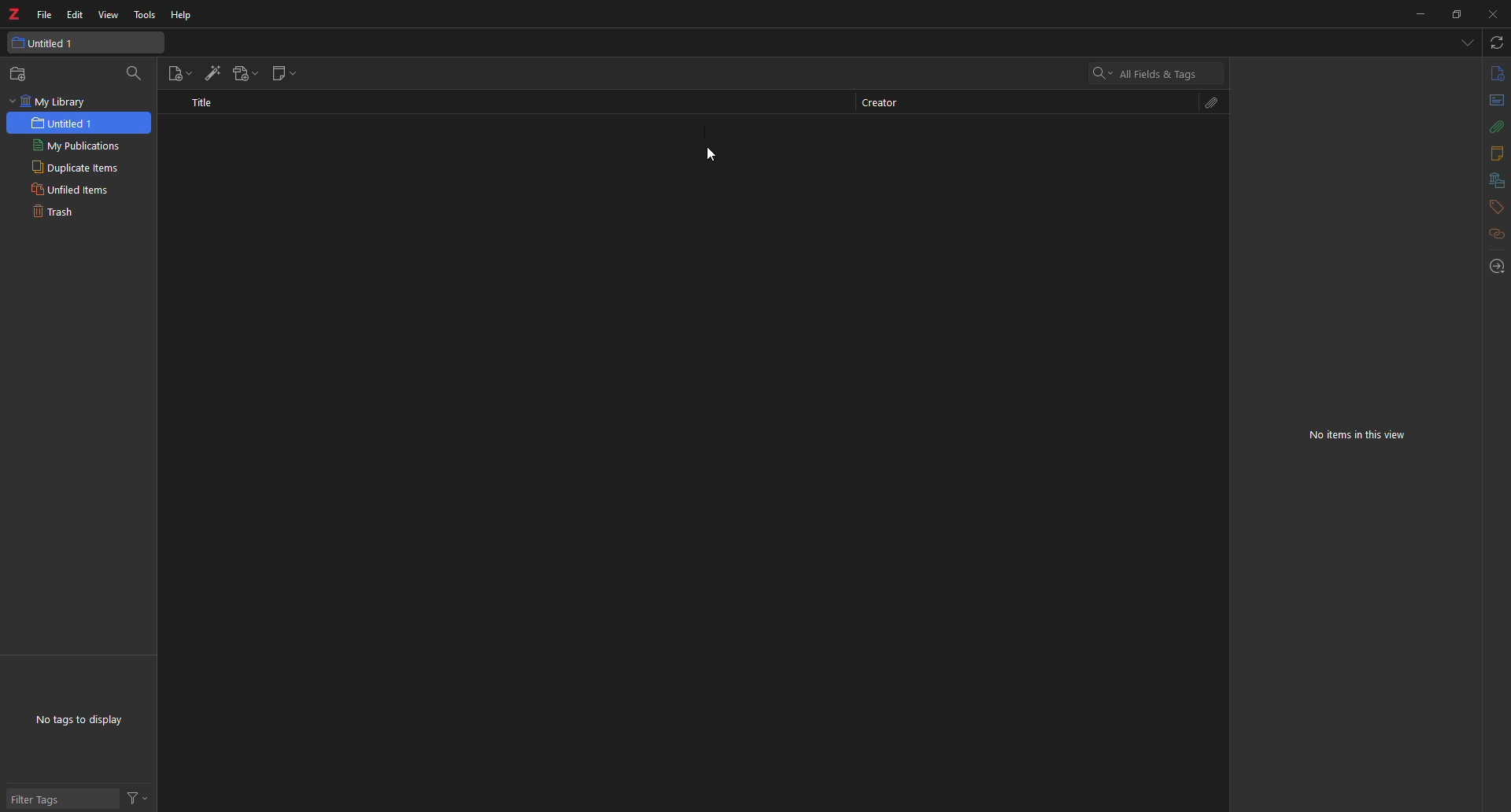  What do you see at coordinates (334, 168) in the screenshot?
I see `deleted collection` at bounding box center [334, 168].